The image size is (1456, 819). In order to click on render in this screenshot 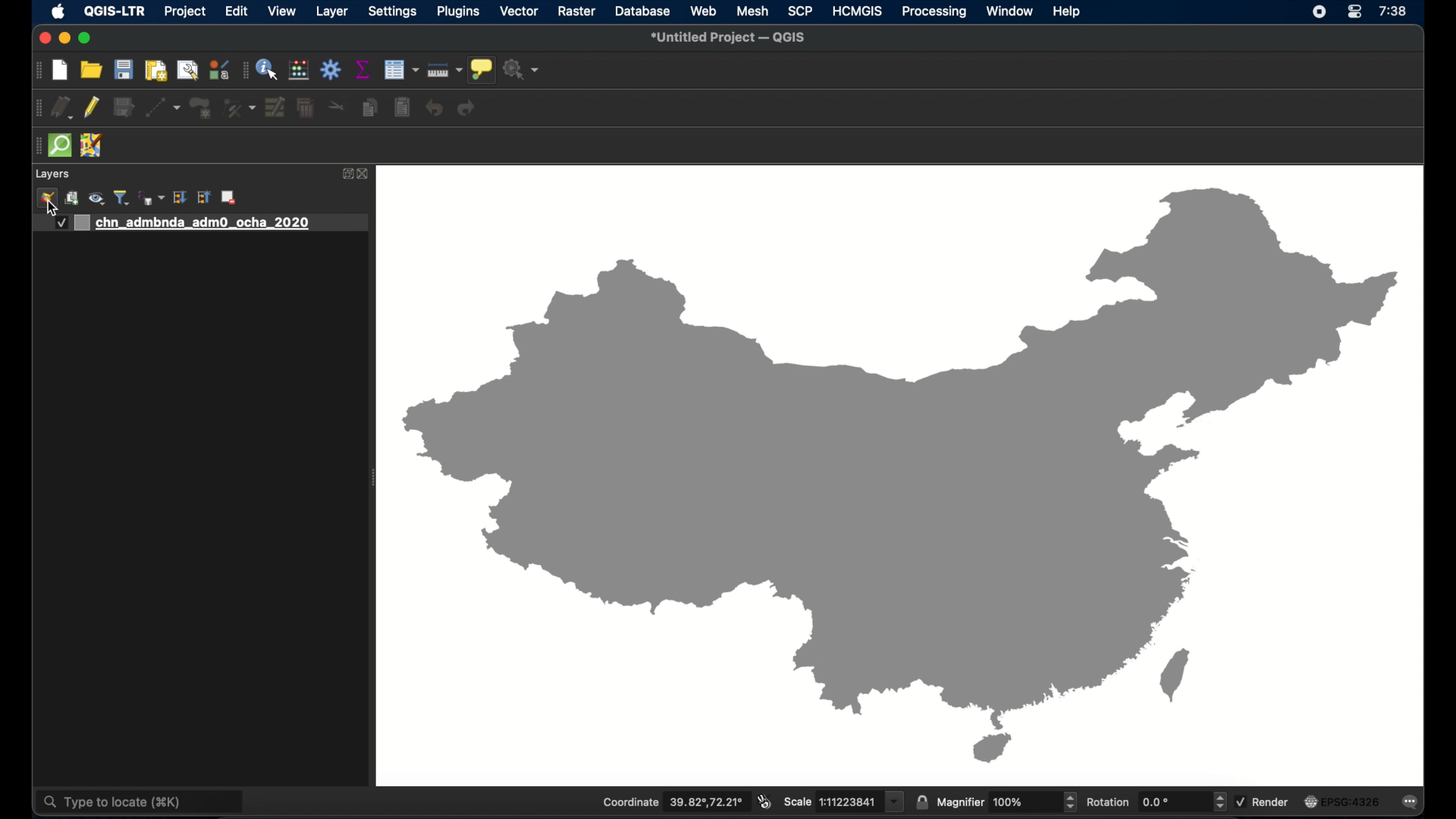, I will do `click(1263, 802)`.